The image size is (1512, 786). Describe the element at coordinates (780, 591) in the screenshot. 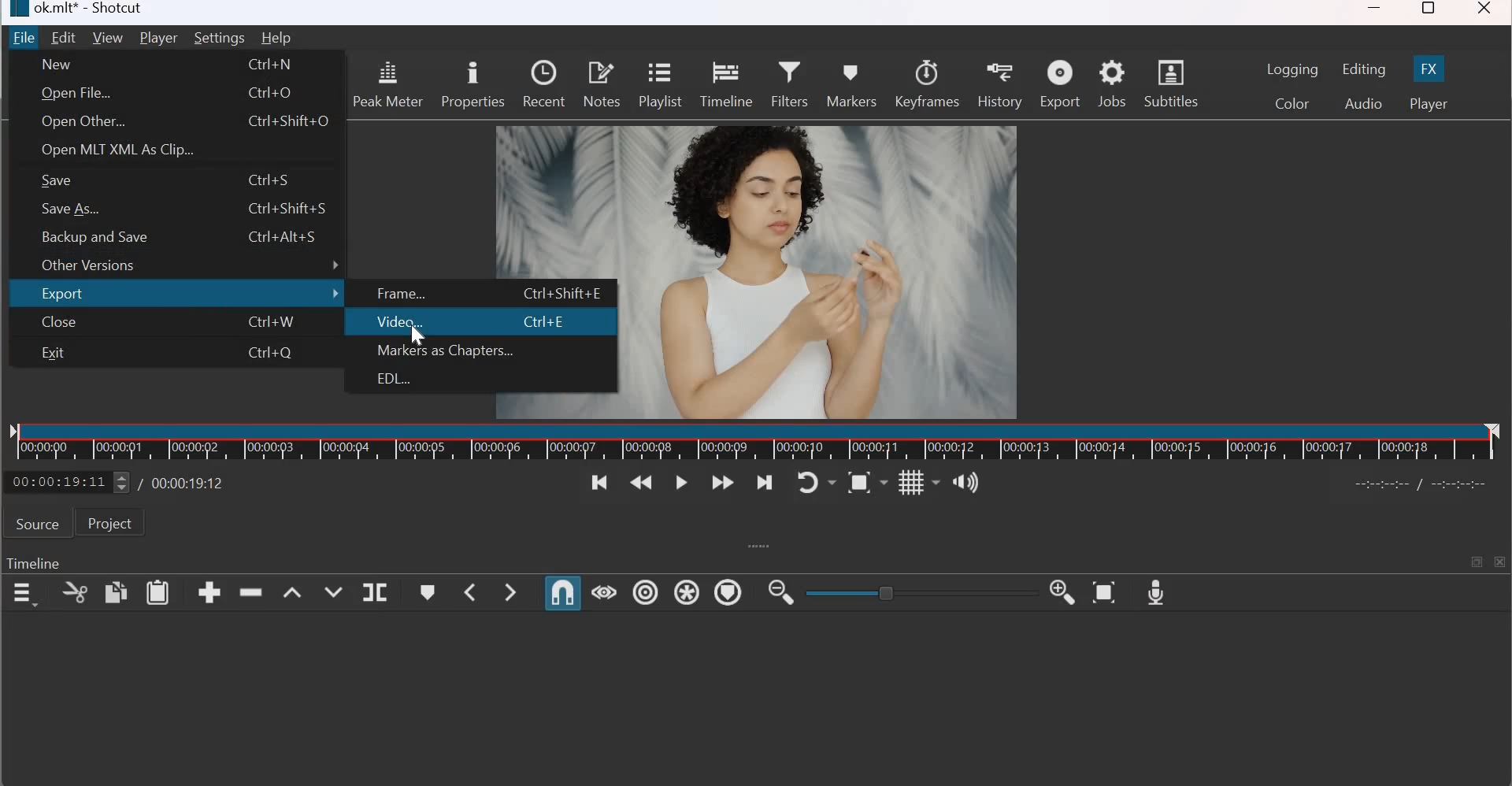

I see `Zoom Timeline out` at that location.